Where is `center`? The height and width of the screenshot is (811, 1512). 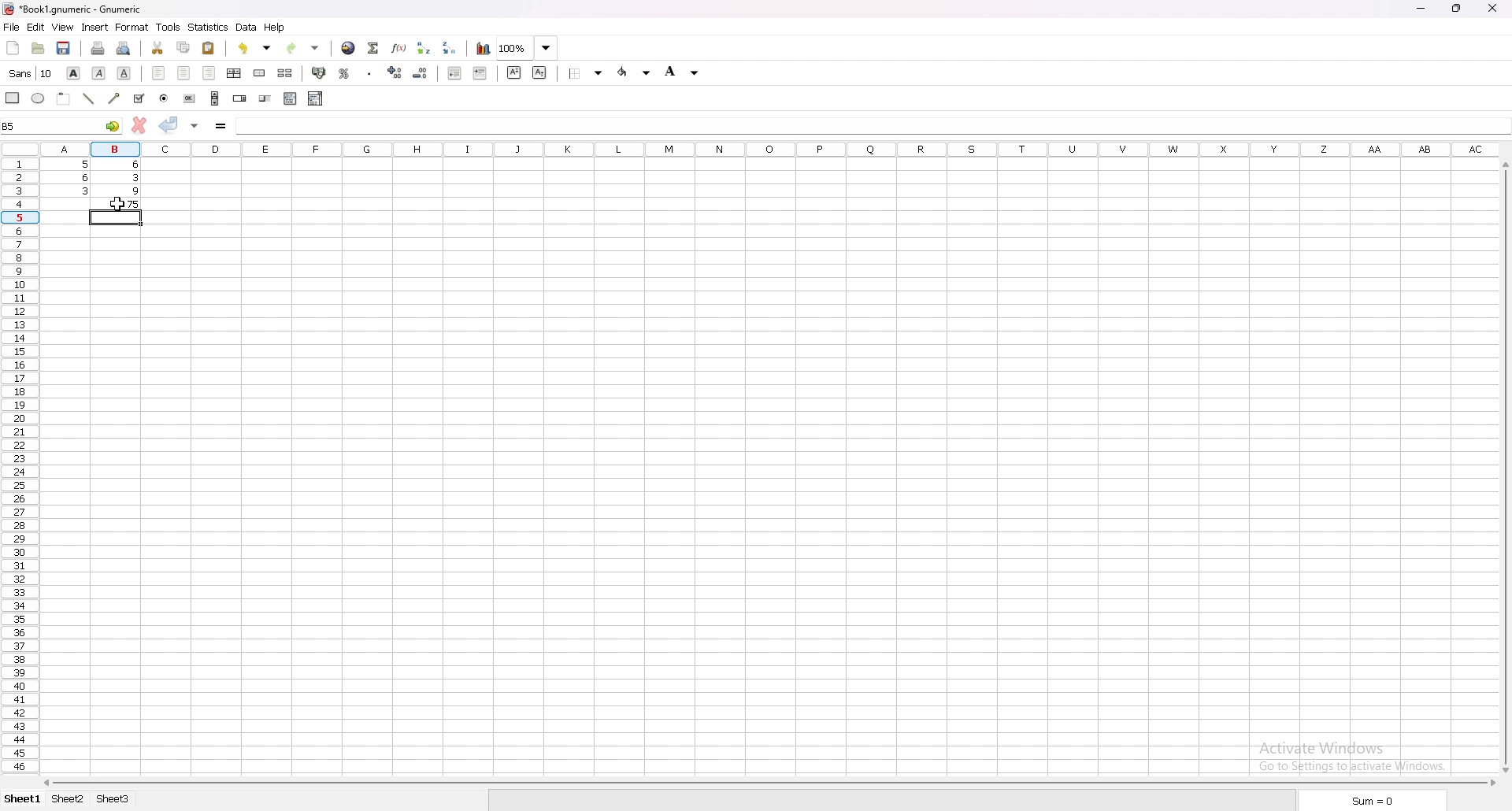
center is located at coordinates (185, 74).